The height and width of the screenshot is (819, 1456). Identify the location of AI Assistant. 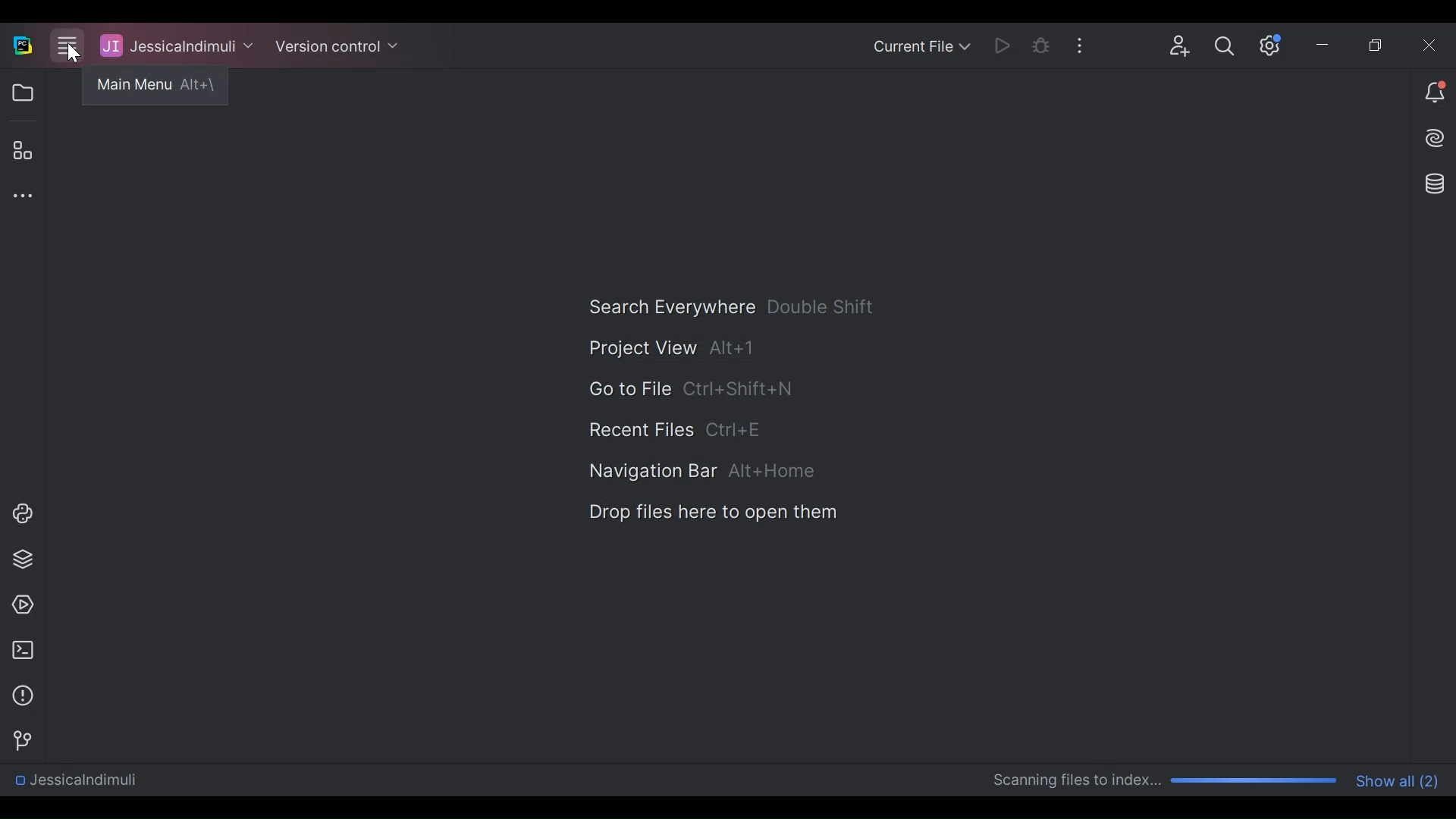
(1436, 137).